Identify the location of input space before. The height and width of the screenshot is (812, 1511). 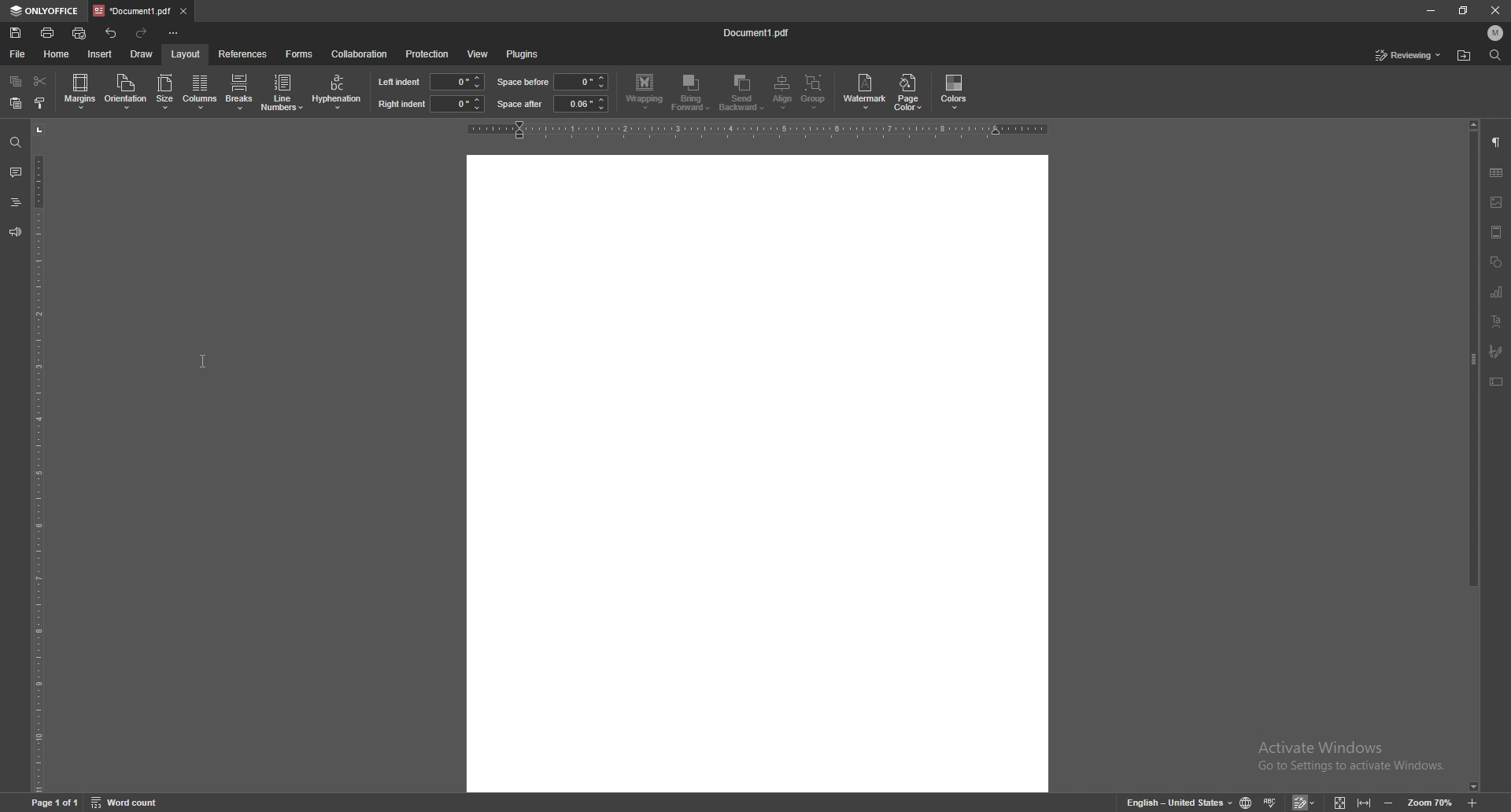
(579, 82).